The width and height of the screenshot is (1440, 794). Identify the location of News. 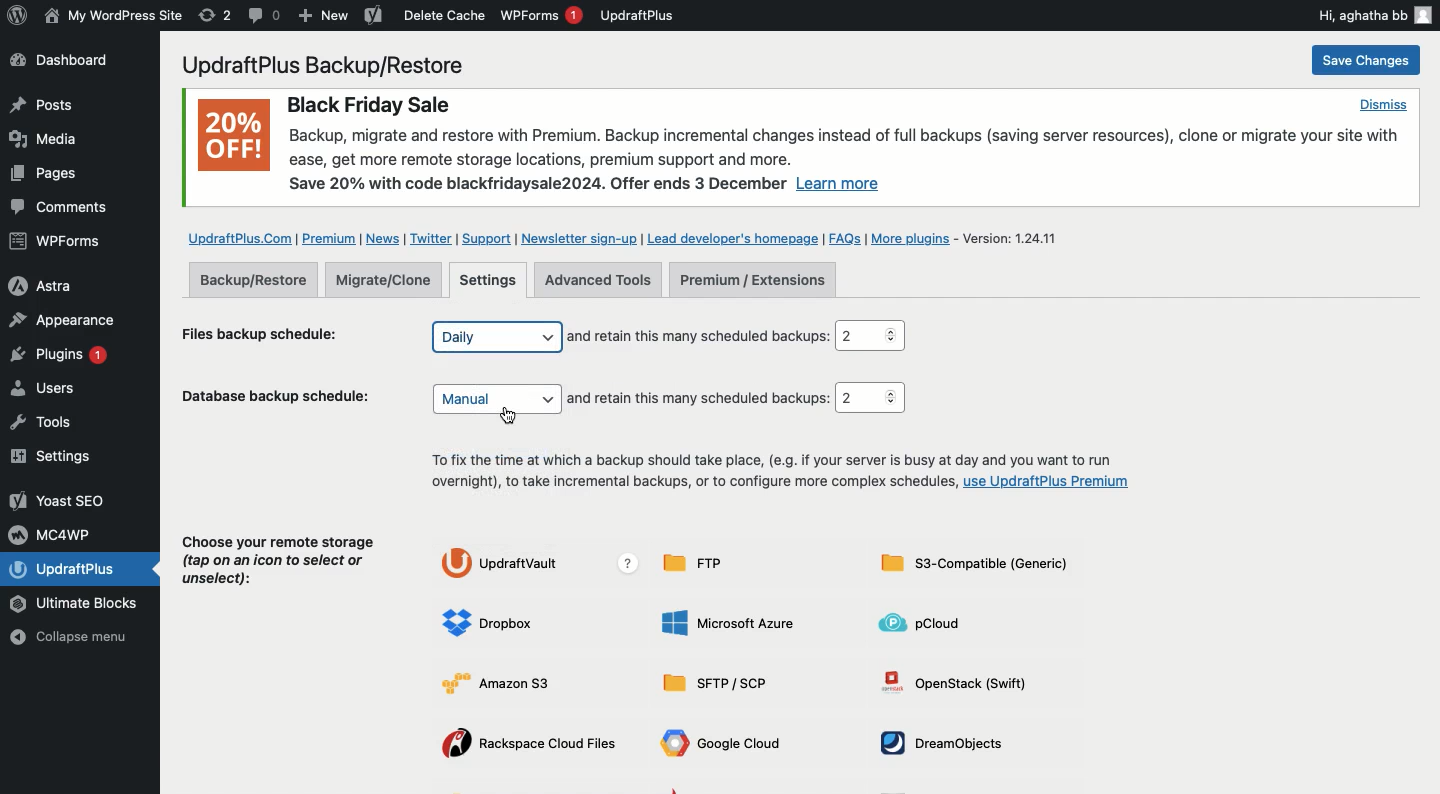
(385, 239).